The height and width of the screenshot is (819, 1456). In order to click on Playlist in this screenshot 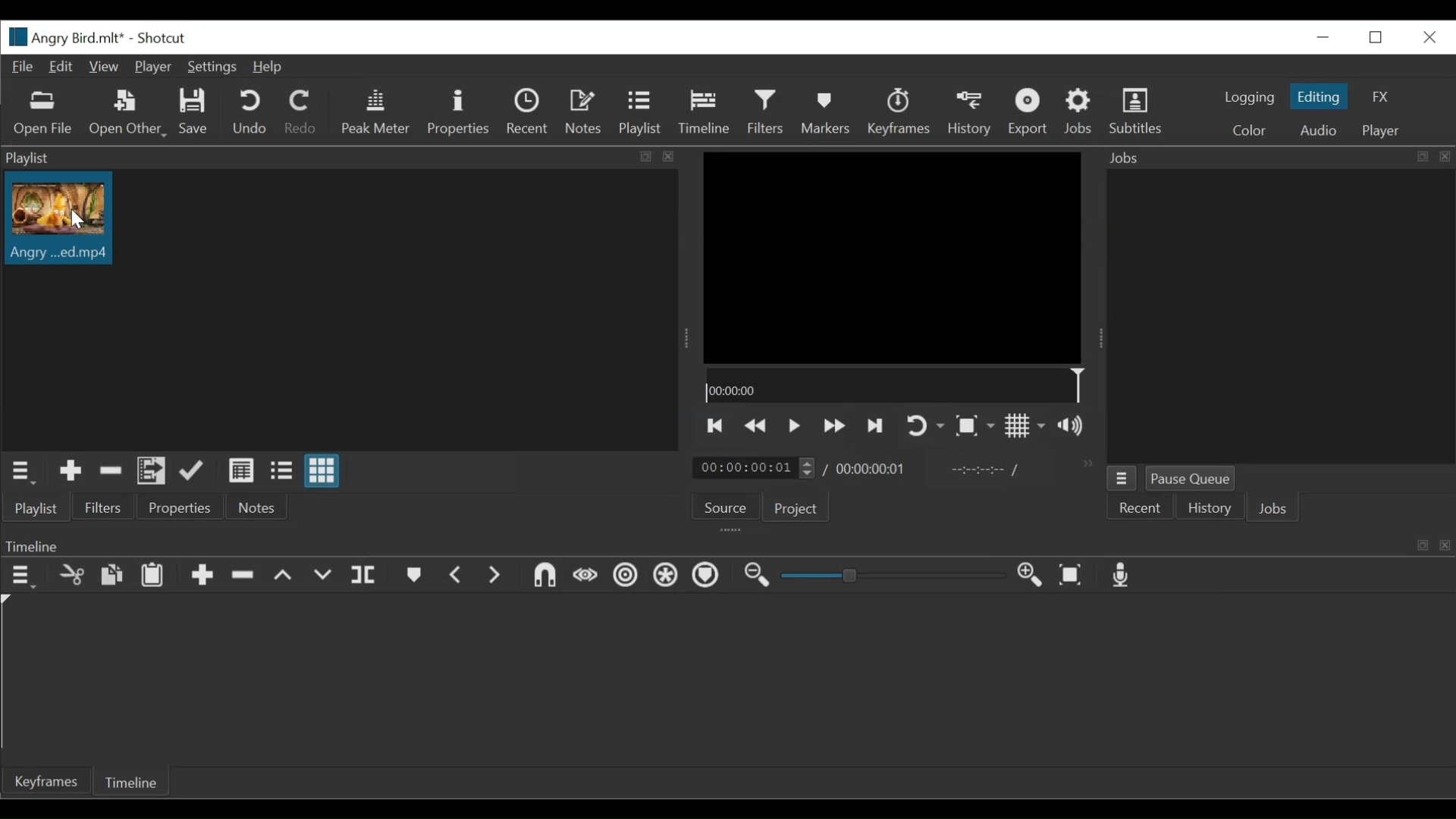, I will do `click(44, 507)`.